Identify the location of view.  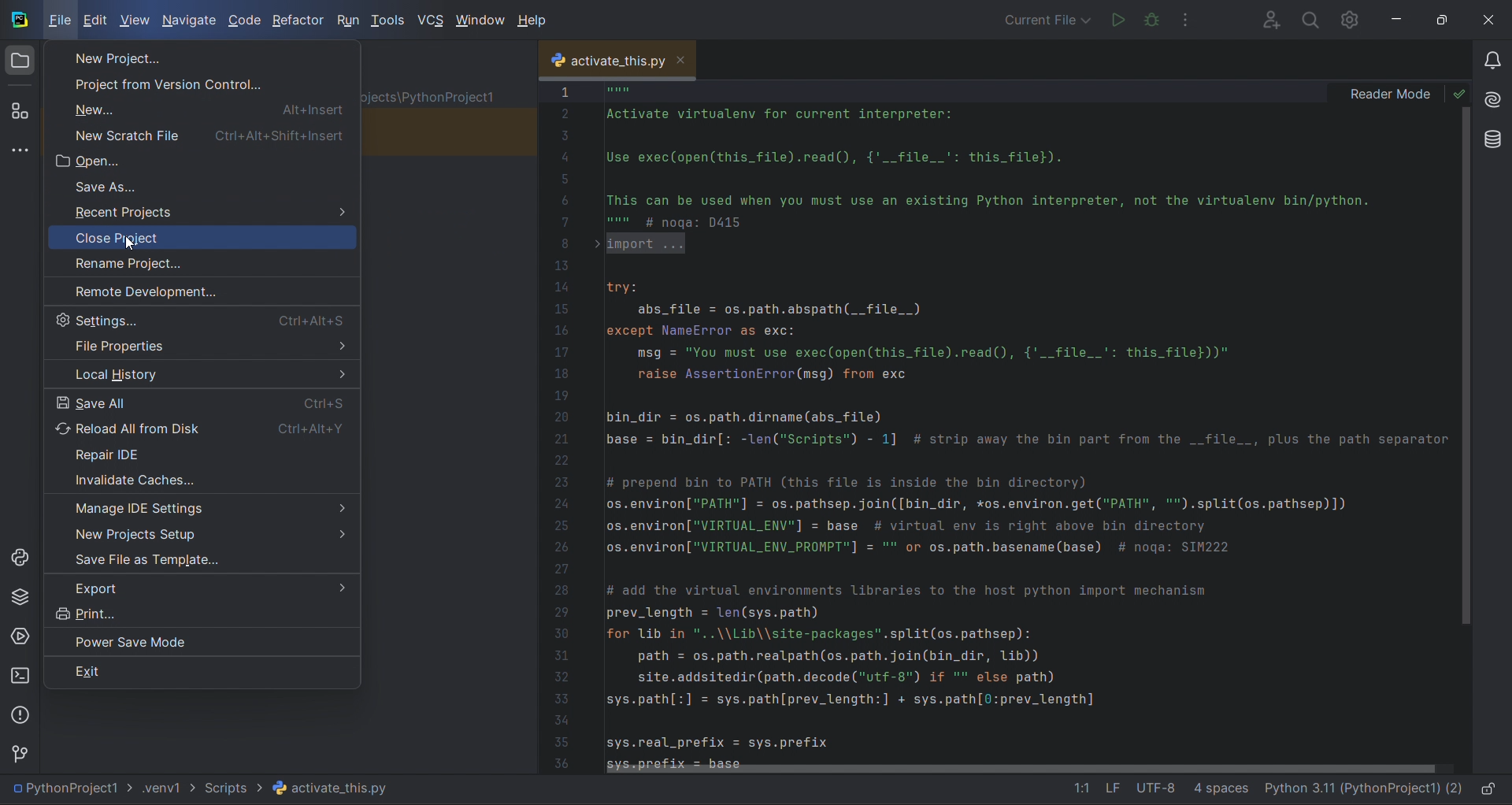
(132, 17).